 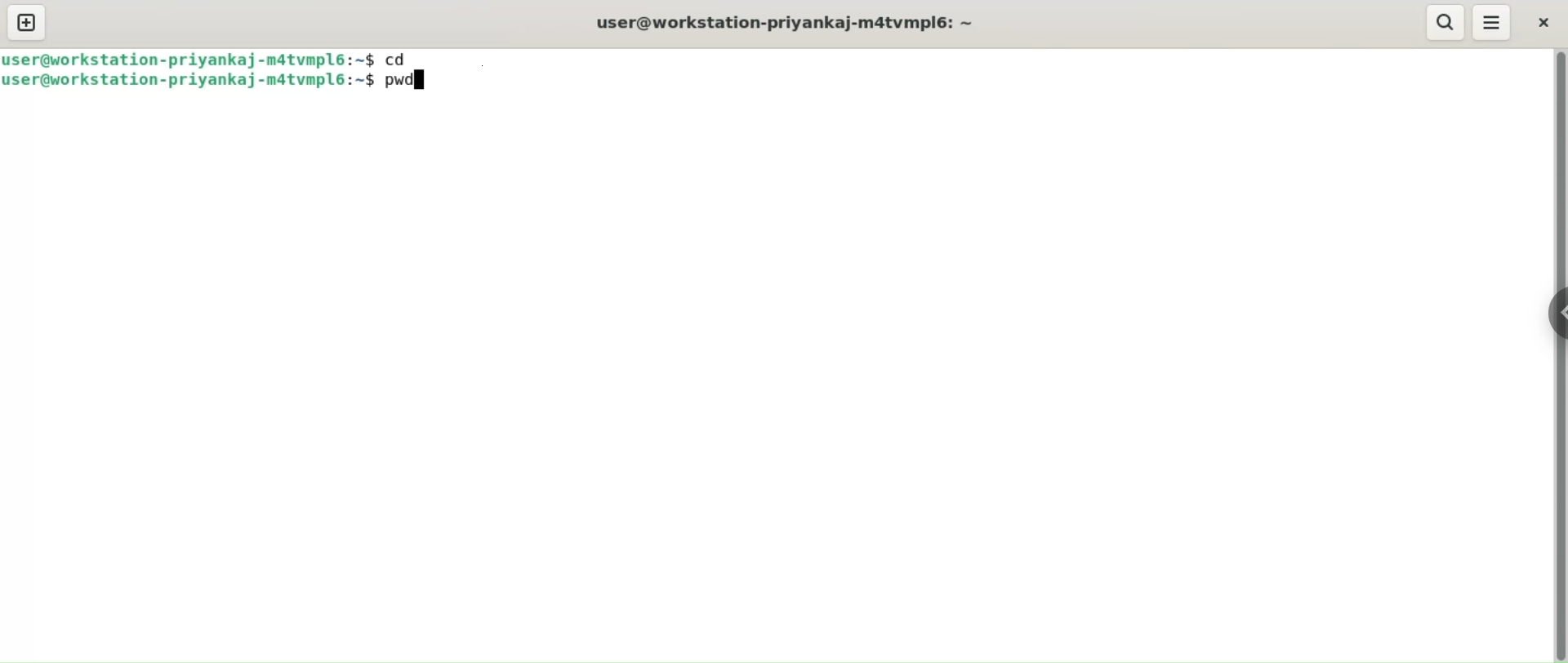 I want to click on pwd, so click(x=410, y=83).